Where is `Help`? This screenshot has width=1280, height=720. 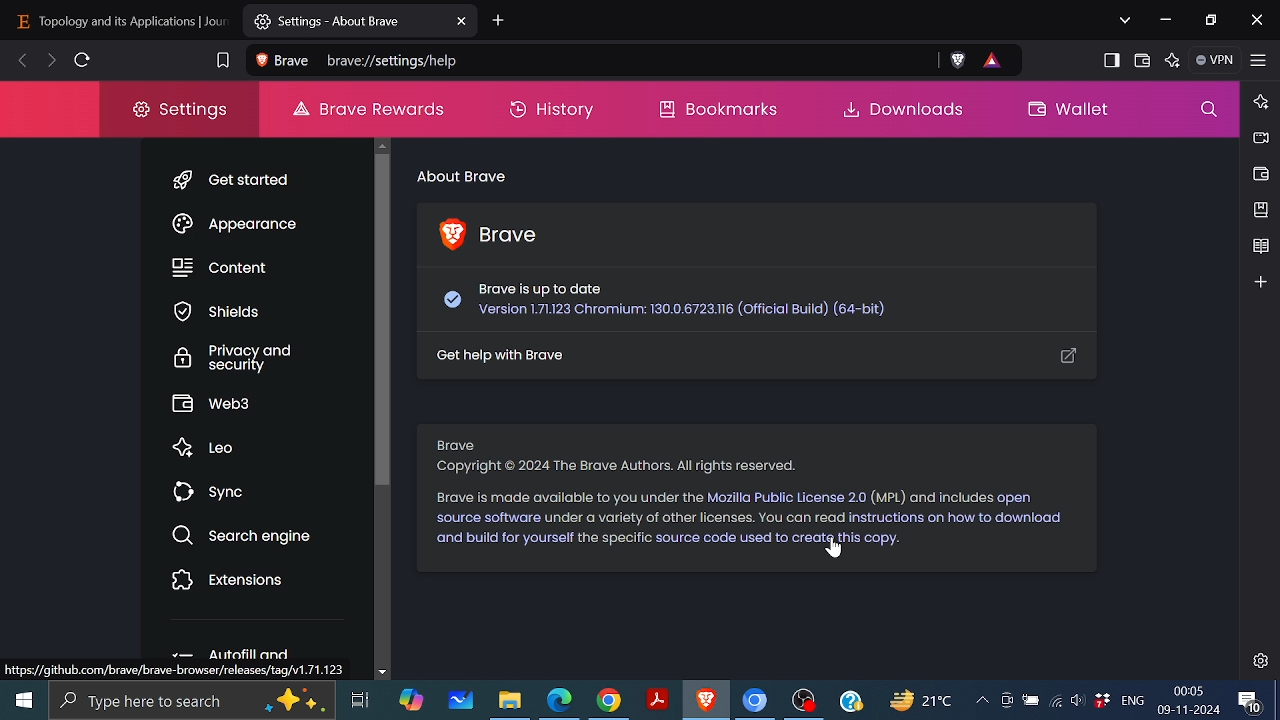
Help is located at coordinates (849, 701).